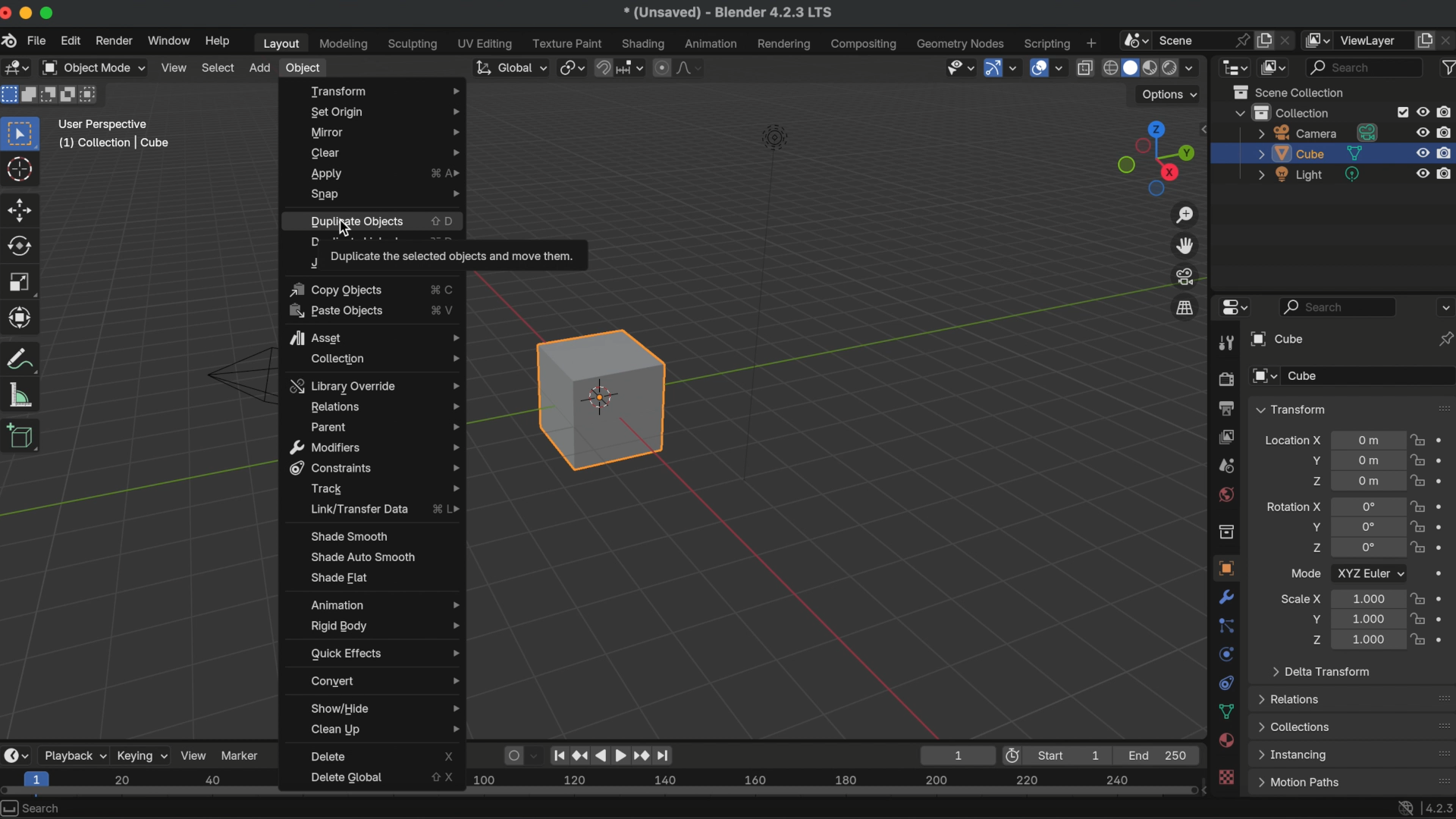  What do you see at coordinates (1366, 459) in the screenshot?
I see `location of object` at bounding box center [1366, 459].